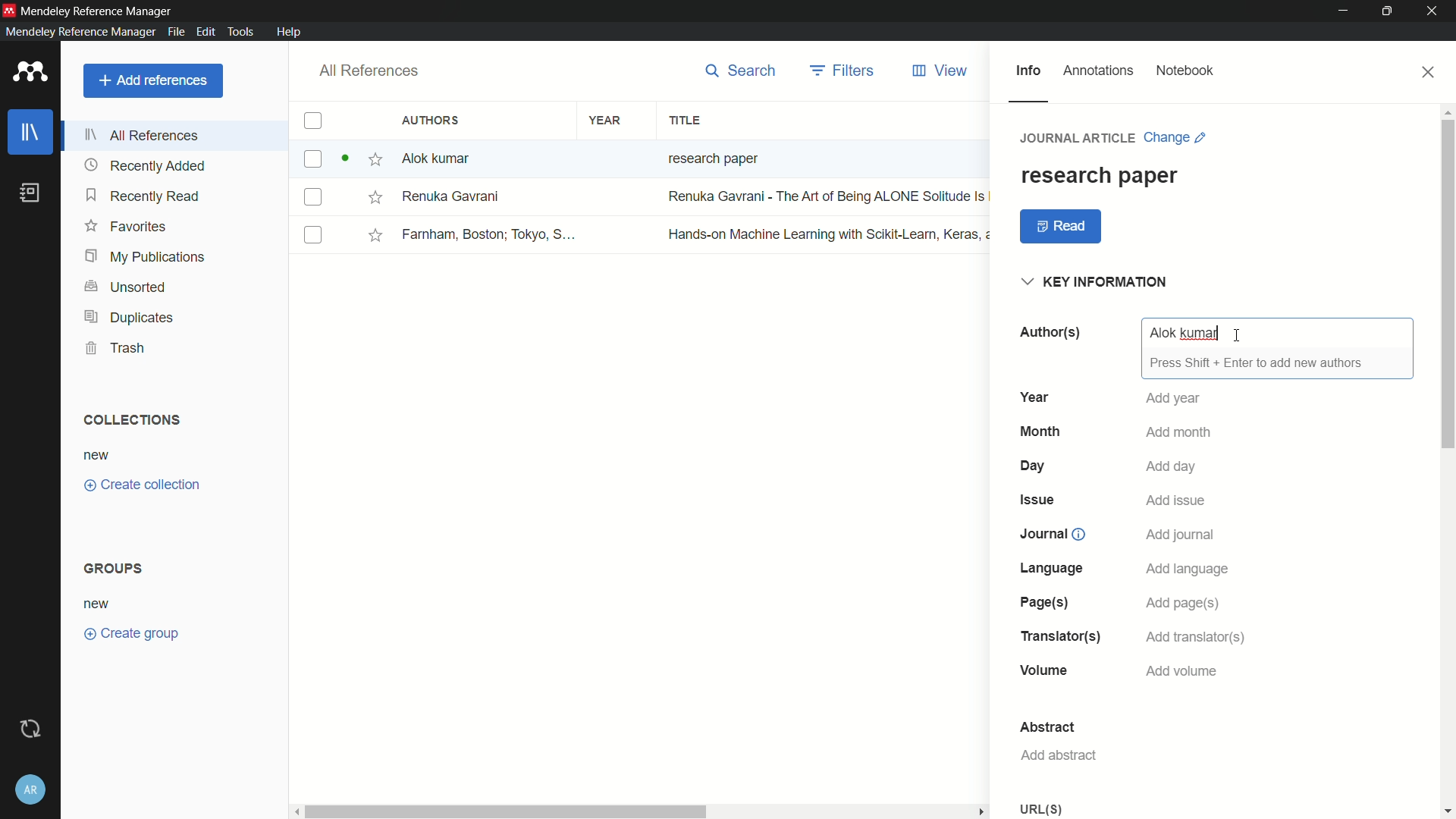  Describe the element at coordinates (146, 258) in the screenshot. I see `my publications` at that location.